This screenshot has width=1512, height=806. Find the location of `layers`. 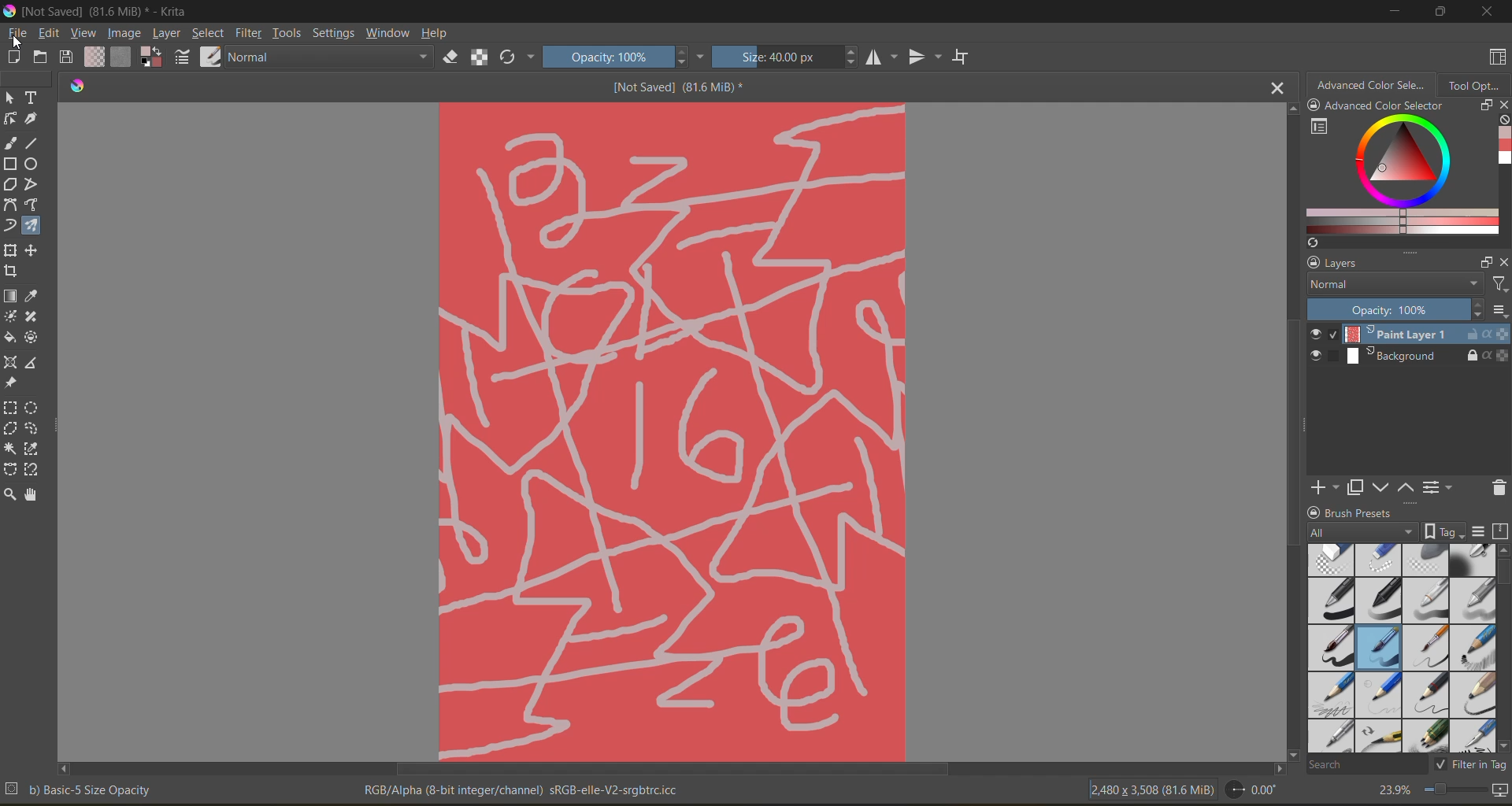

layers is located at coordinates (1398, 264).